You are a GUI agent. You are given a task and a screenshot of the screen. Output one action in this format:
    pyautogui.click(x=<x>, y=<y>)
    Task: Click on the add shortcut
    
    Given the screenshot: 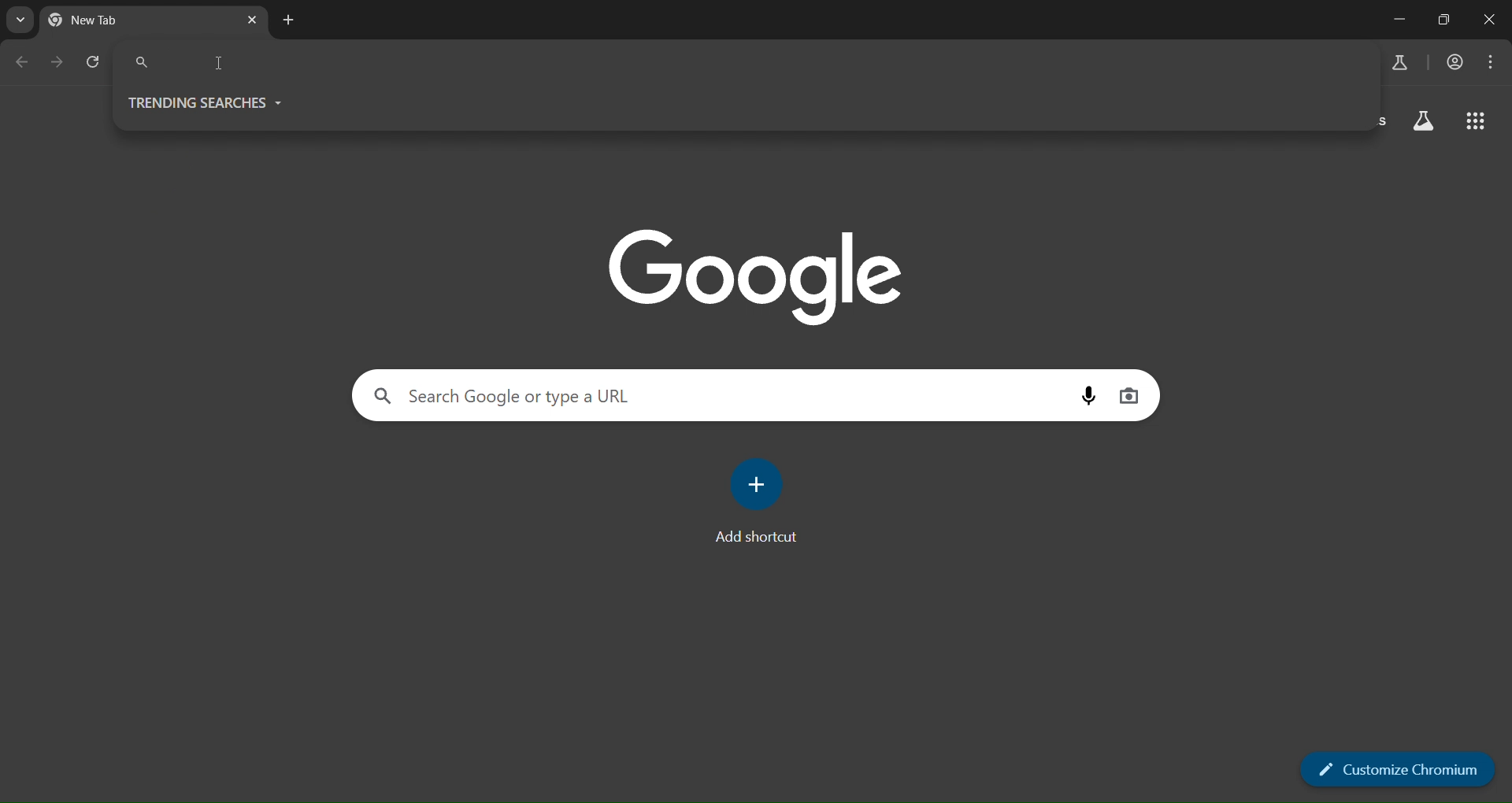 What is the action you would take?
    pyautogui.click(x=763, y=501)
    